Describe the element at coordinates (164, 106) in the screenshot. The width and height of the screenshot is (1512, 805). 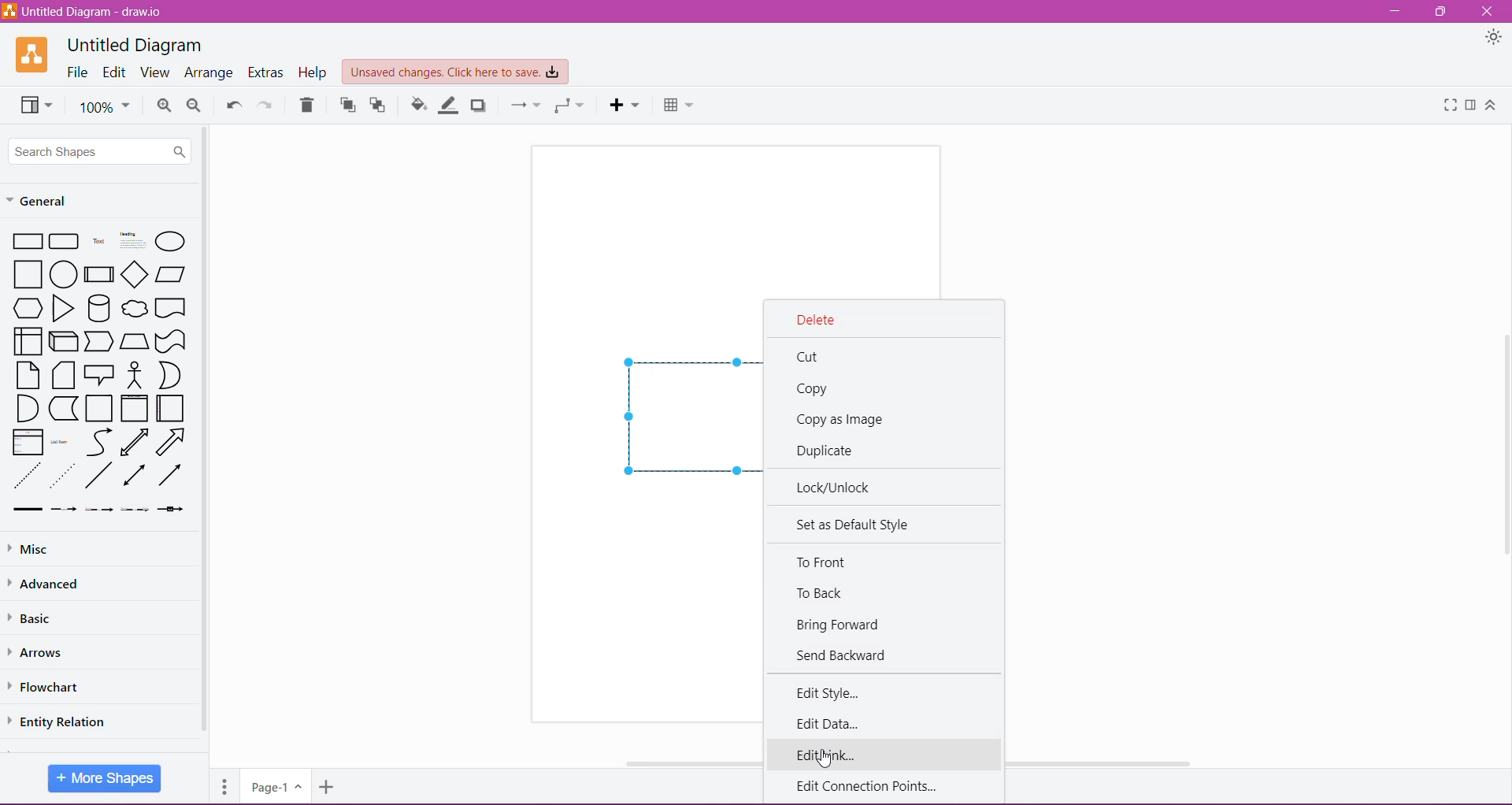
I see `Zoom In` at that location.